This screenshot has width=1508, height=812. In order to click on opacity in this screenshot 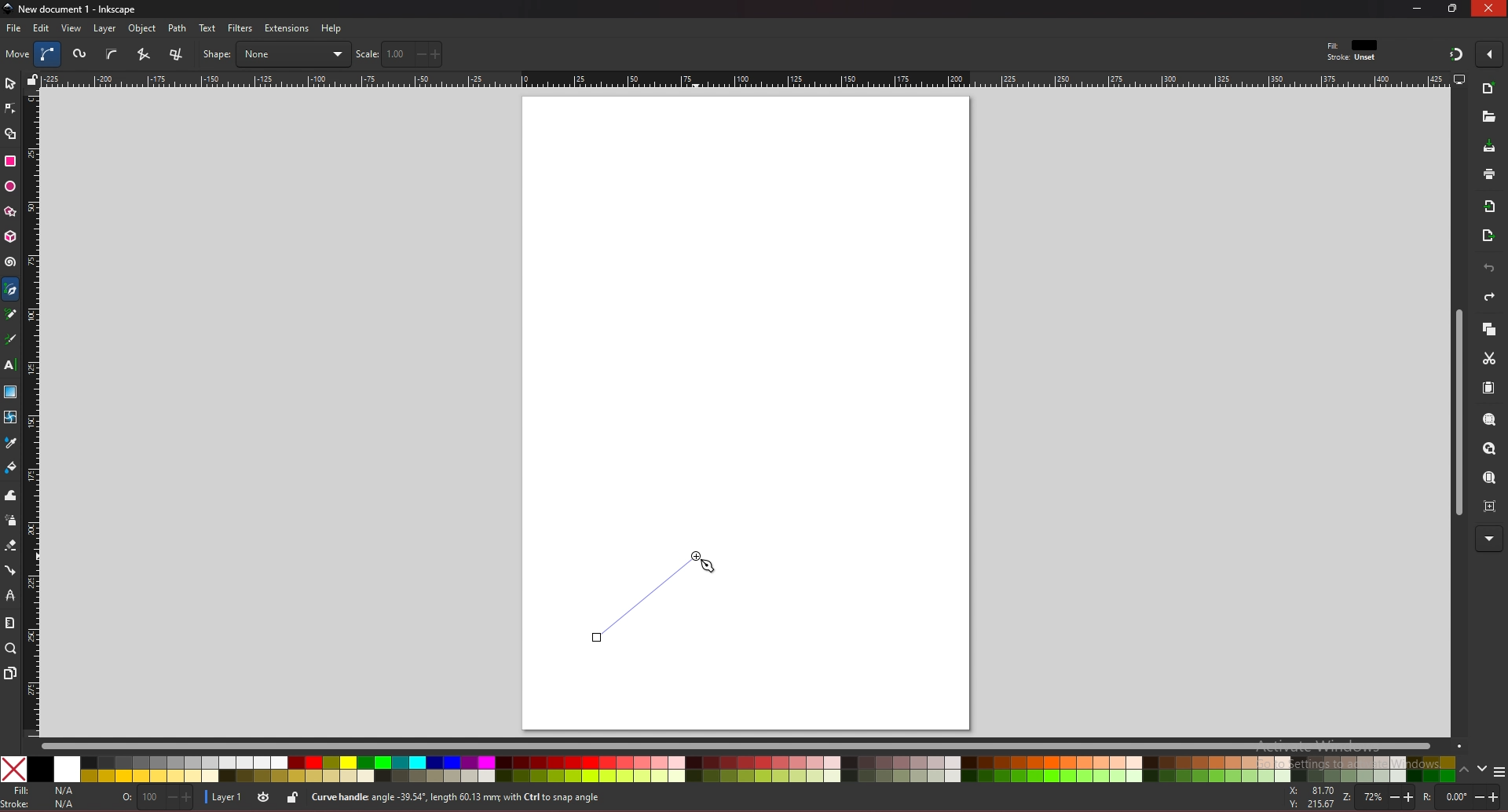, I will do `click(155, 799)`.